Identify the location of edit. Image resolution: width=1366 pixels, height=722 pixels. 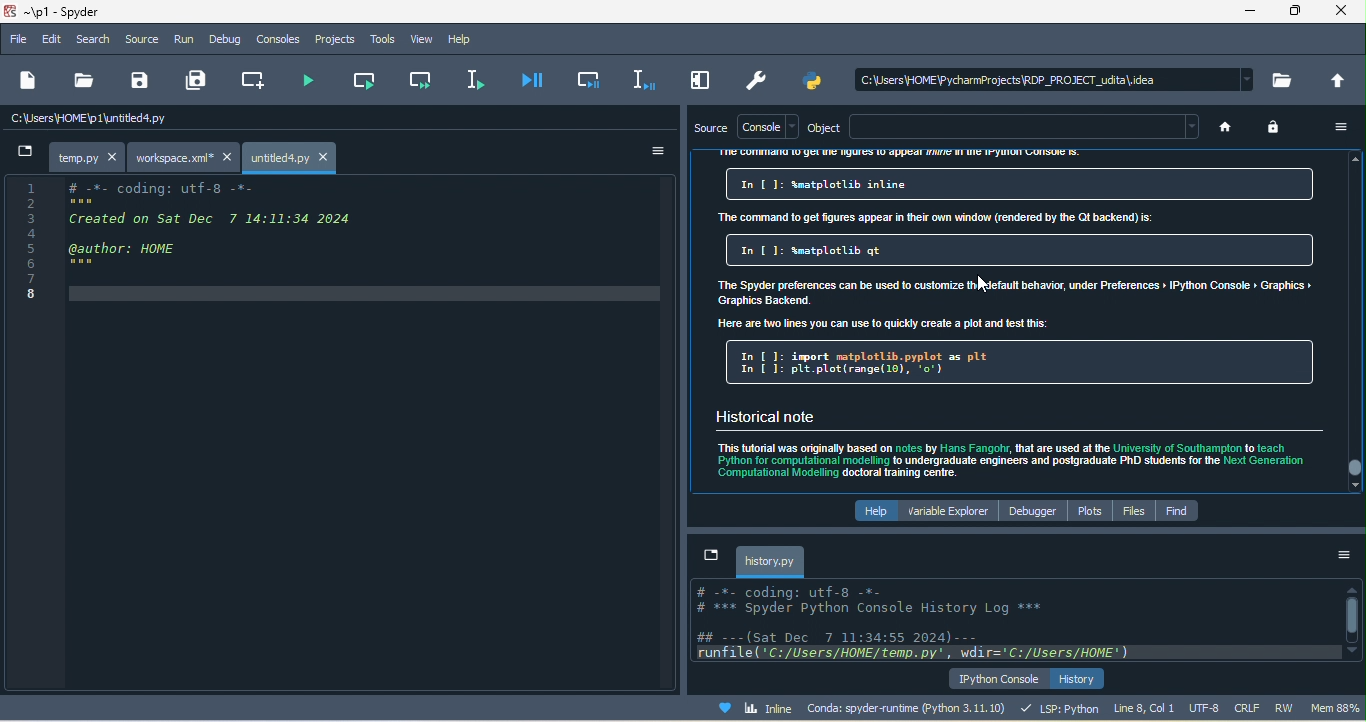
(58, 40).